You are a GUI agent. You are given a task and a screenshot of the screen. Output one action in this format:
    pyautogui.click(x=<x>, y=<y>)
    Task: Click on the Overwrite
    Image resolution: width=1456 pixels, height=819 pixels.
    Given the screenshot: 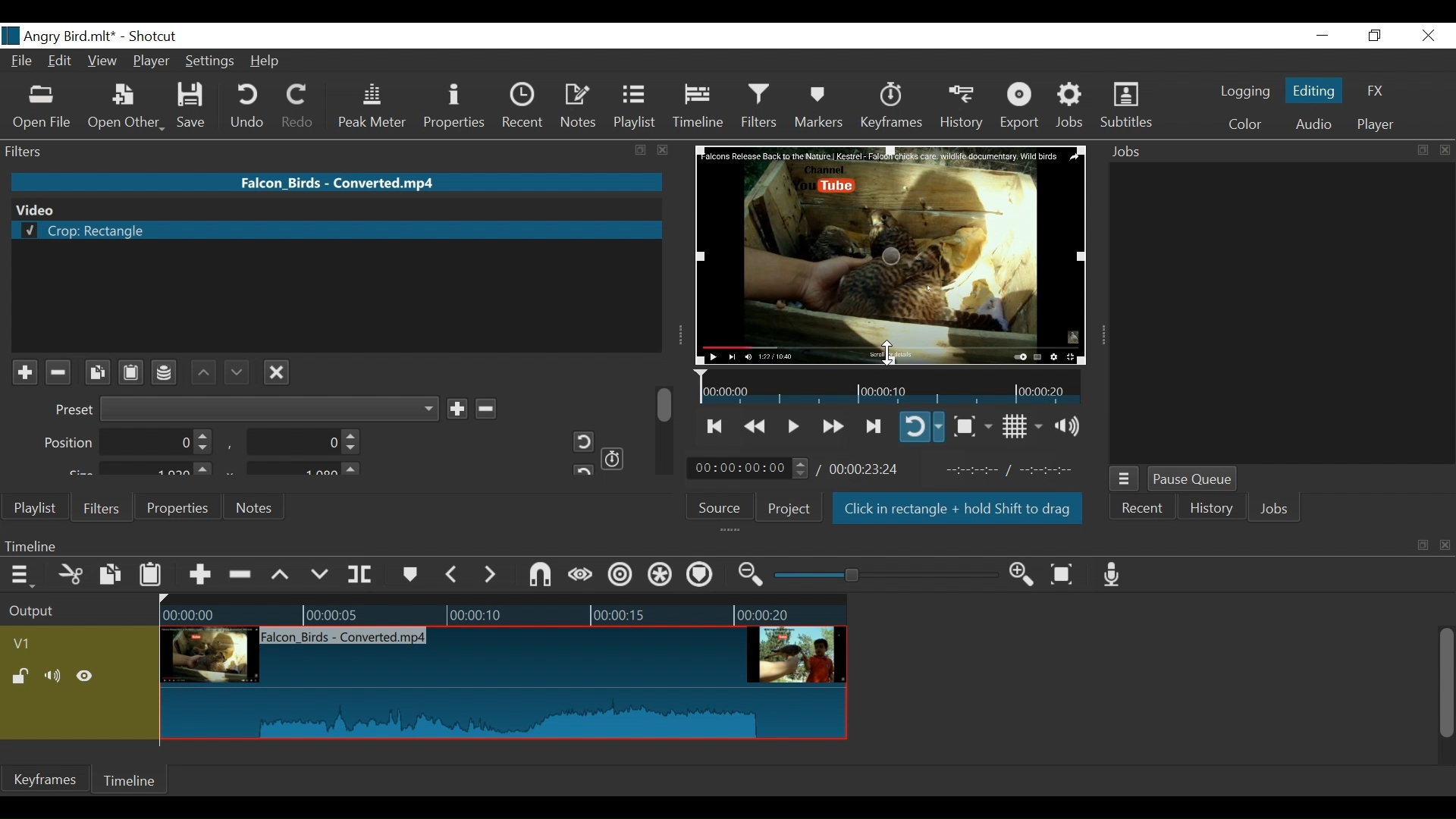 What is the action you would take?
    pyautogui.click(x=320, y=575)
    